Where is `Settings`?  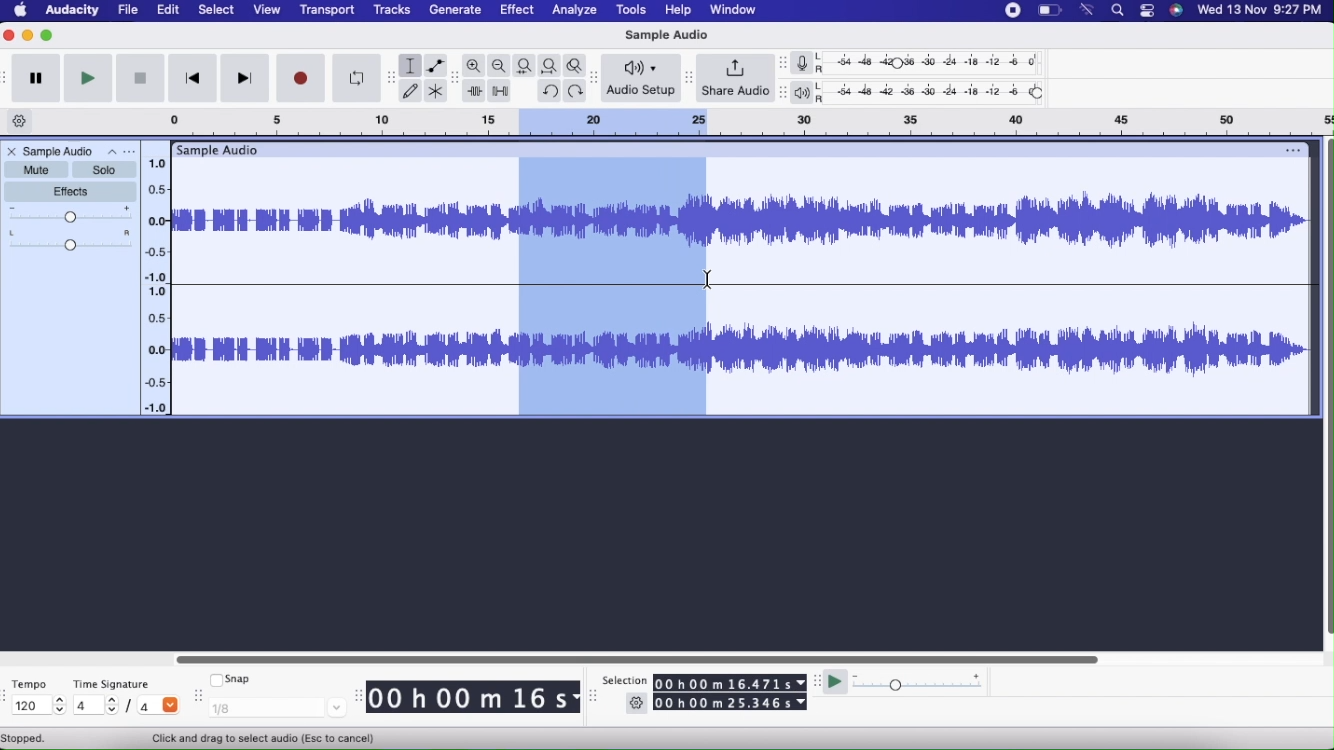
Settings is located at coordinates (637, 705).